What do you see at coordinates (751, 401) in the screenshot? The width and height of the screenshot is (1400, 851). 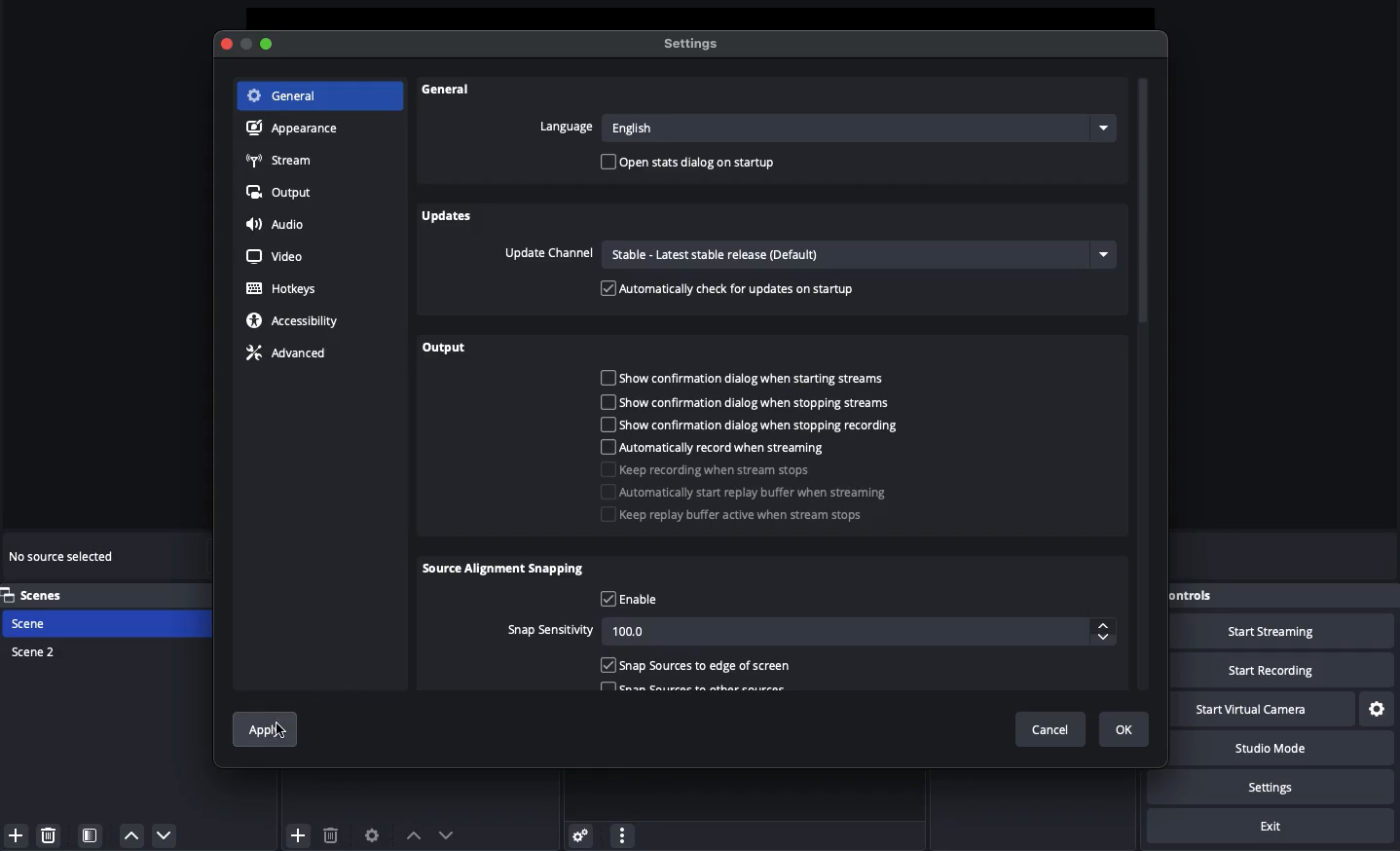 I see `Show confirmation dialog ` at bounding box center [751, 401].